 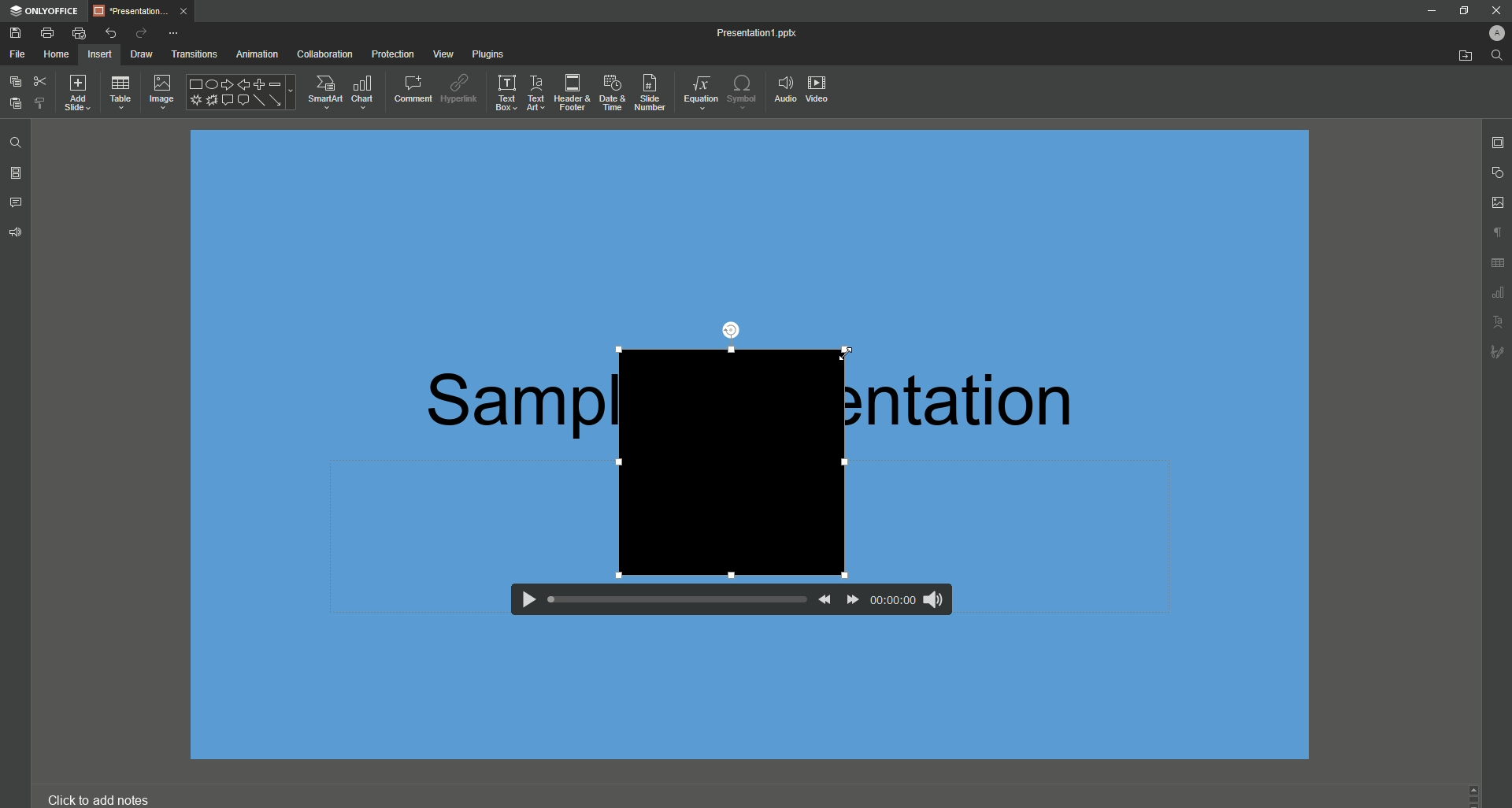 I want to click on Choose Styling, so click(x=42, y=102).